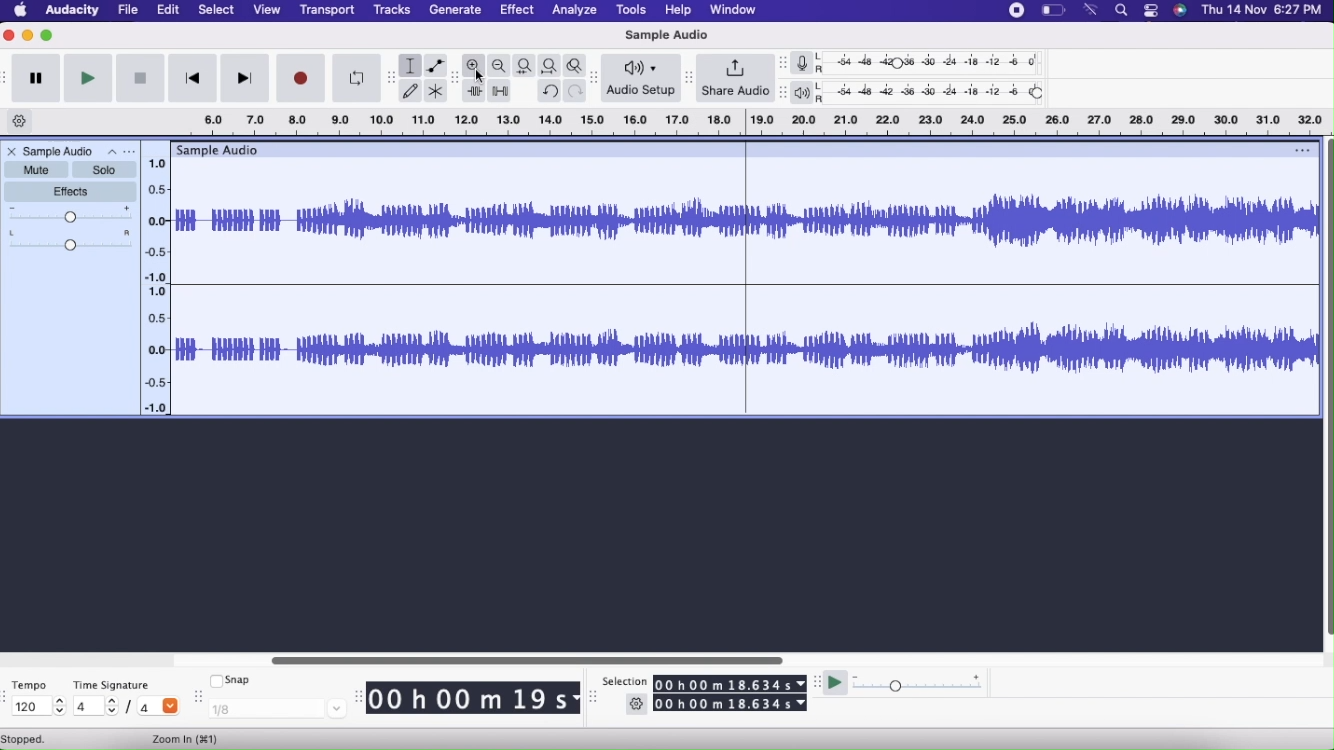 This screenshot has width=1334, height=750. I want to click on Effects, so click(70, 193).